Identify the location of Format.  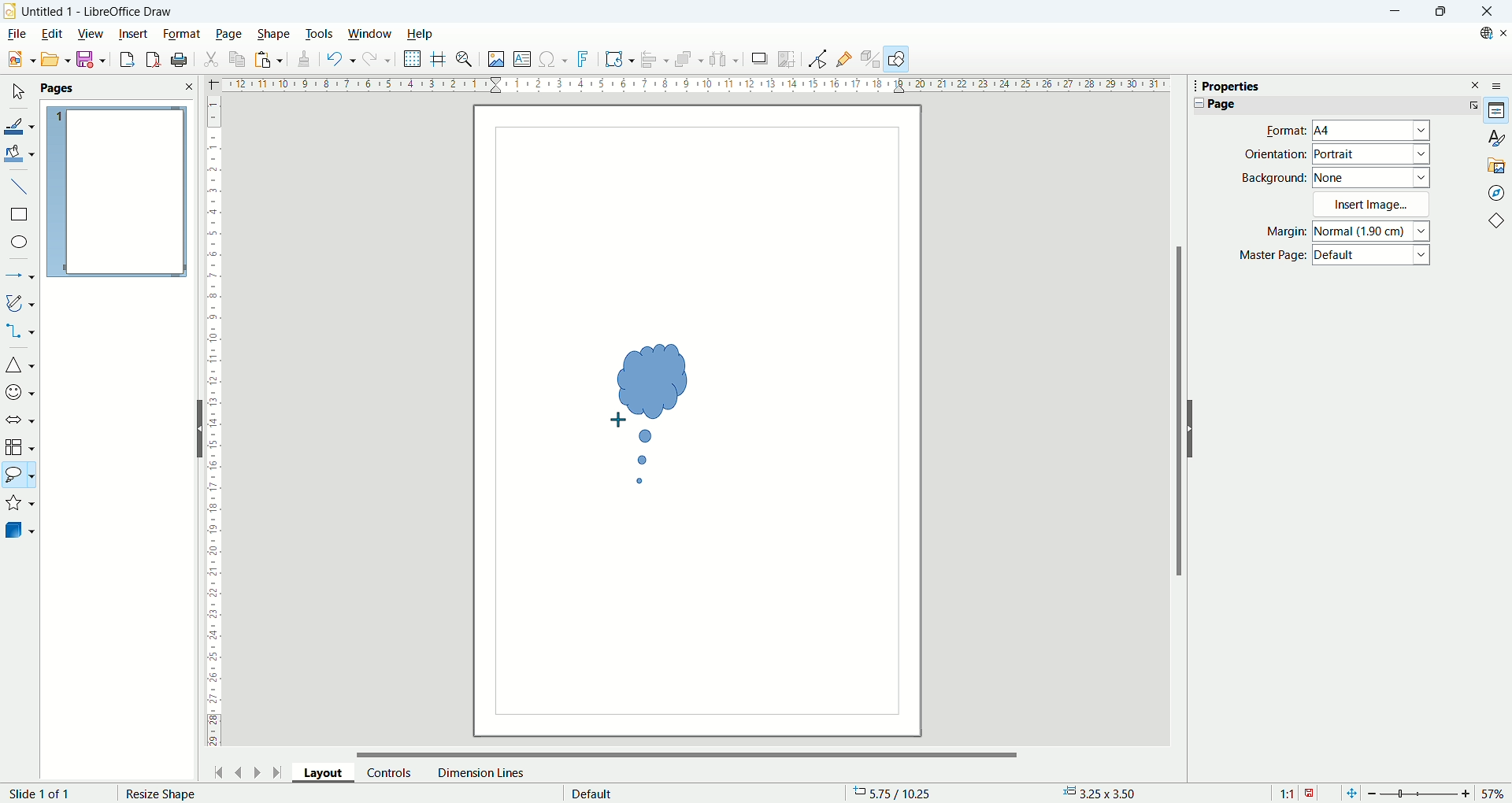
(1281, 130).